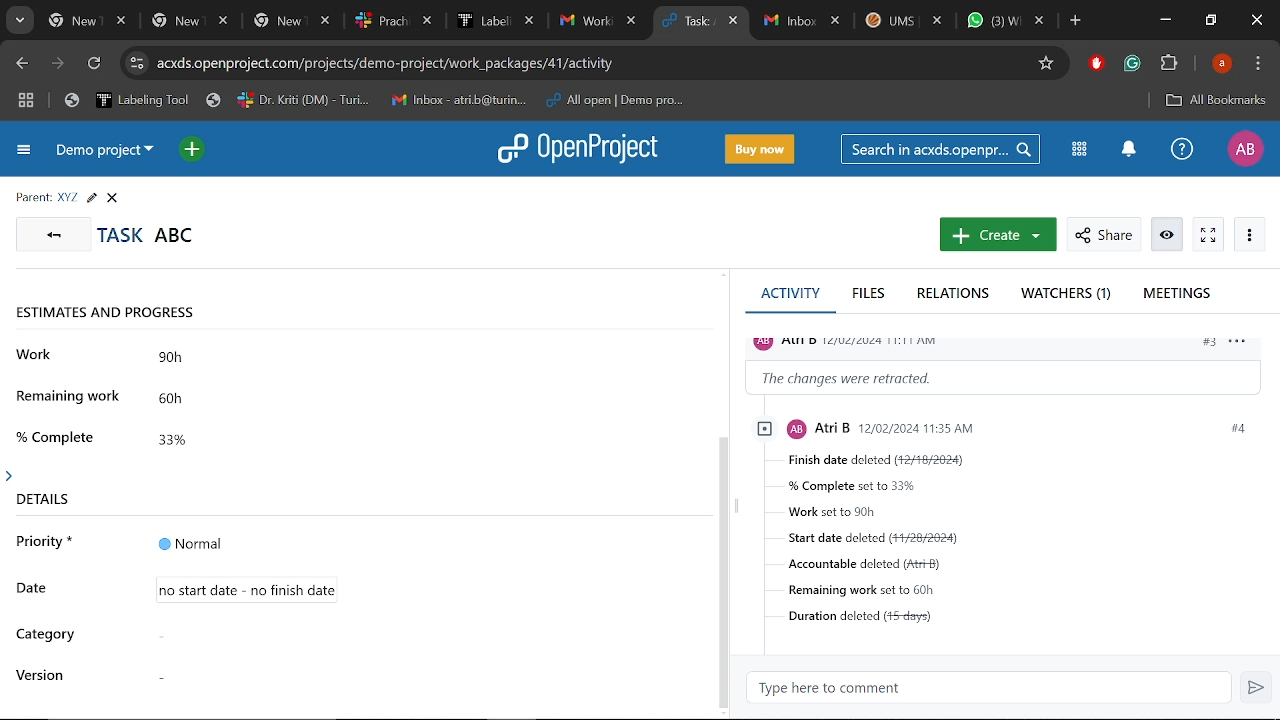  Describe the element at coordinates (1045, 64) in the screenshot. I see `Add/remove bookmark` at that location.